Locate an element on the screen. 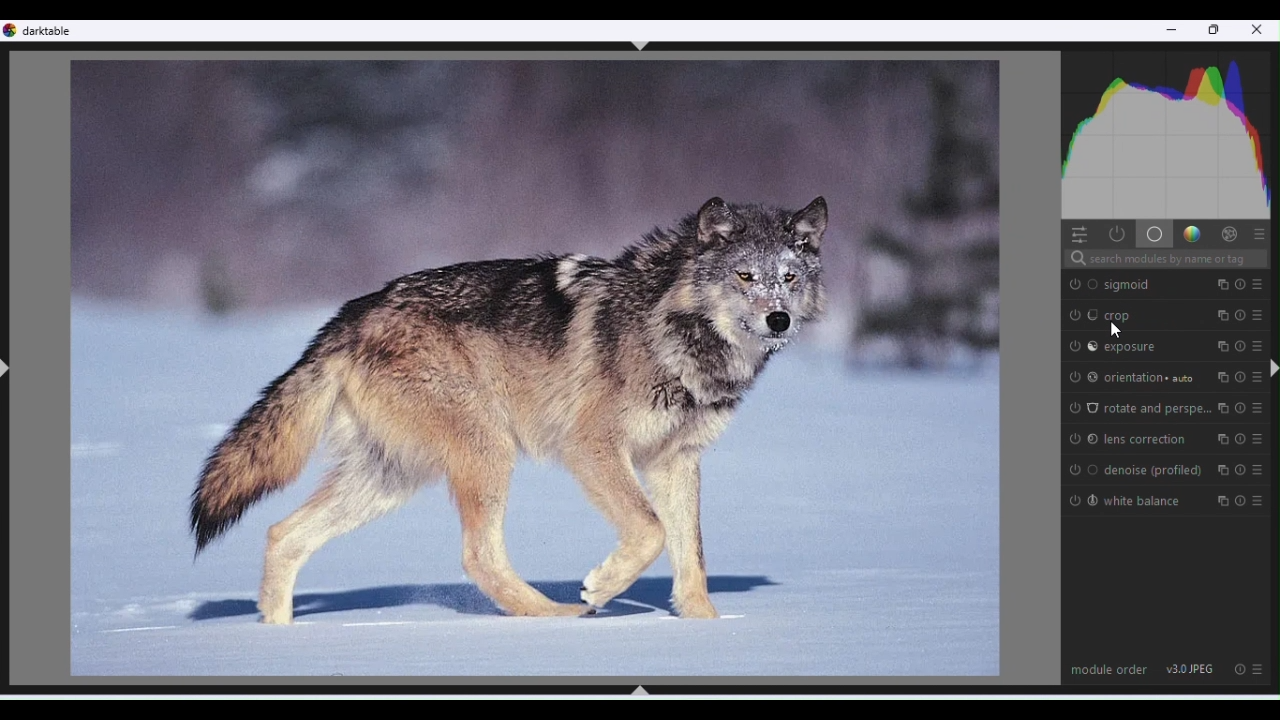  ctrl+shift+t is located at coordinates (641, 46).